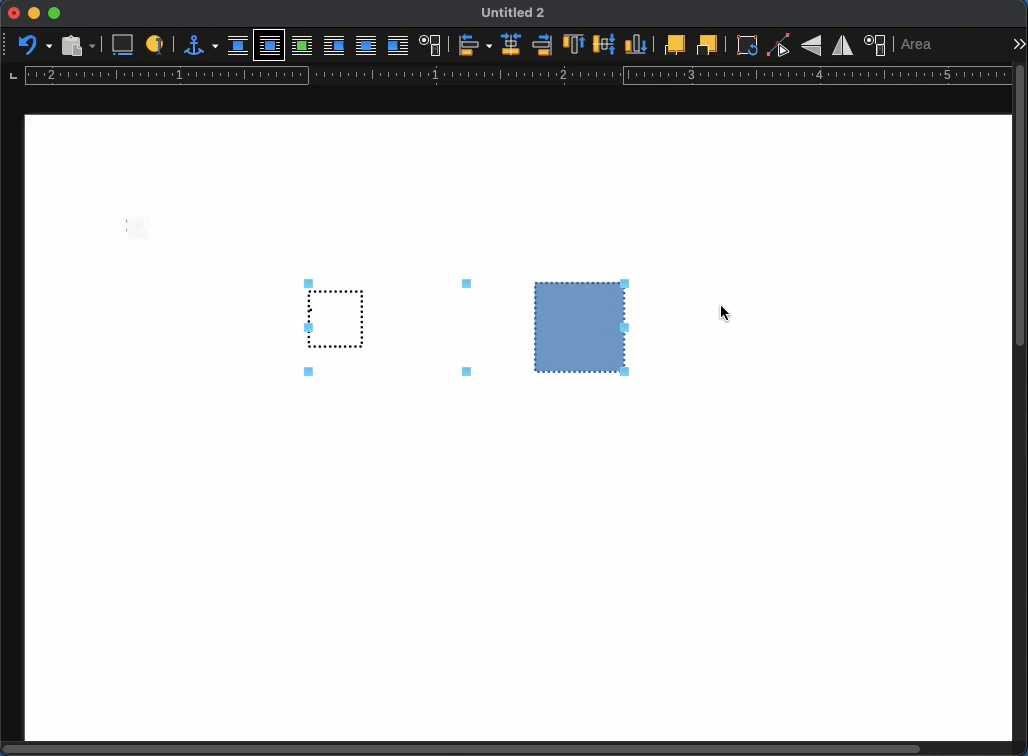 This screenshot has width=1028, height=756. What do you see at coordinates (55, 13) in the screenshot?
I see `maximize` at bounding box center [55, 13].